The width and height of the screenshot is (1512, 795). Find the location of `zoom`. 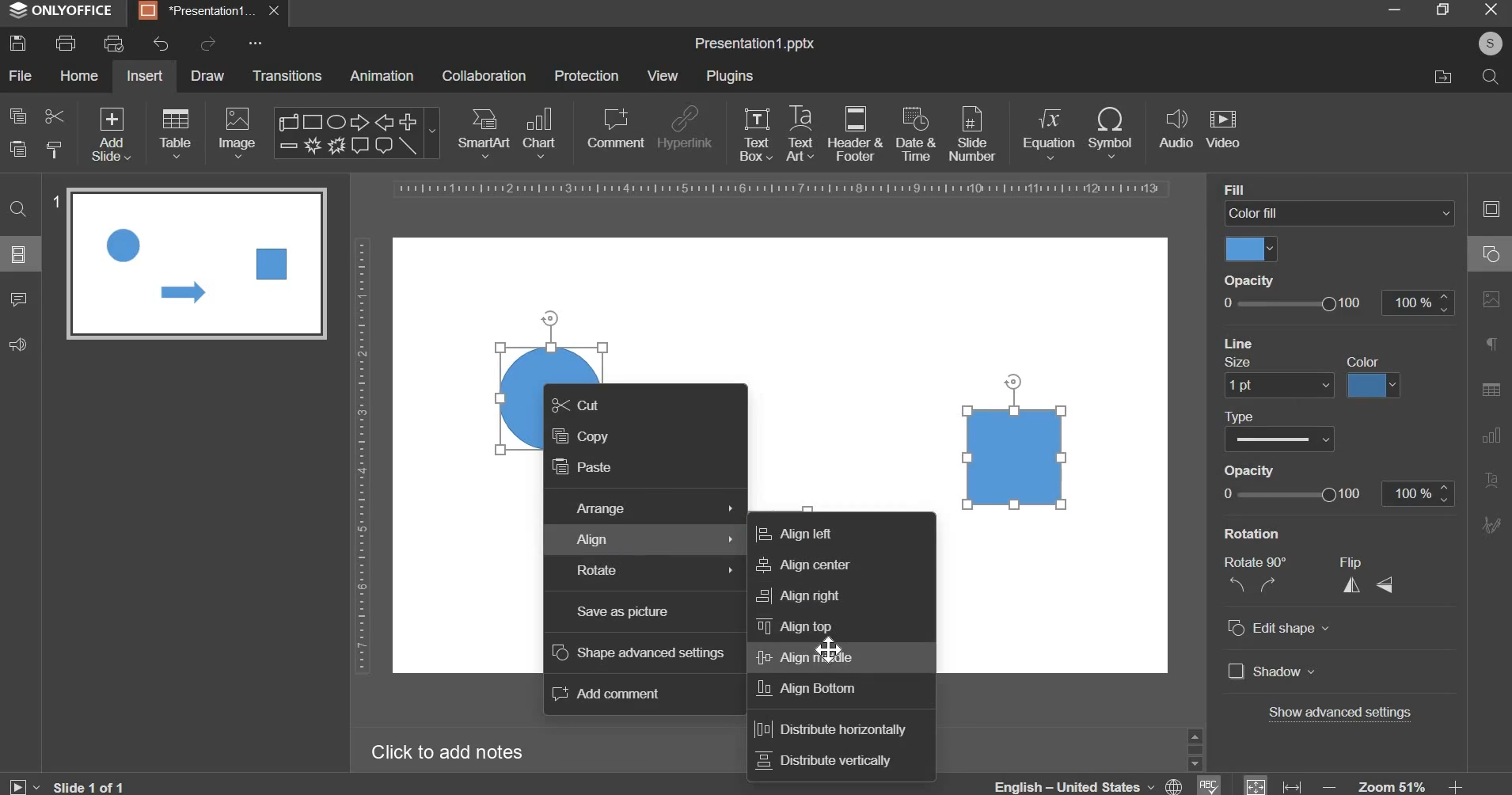

zoom is located at coordinates (1393, 785).